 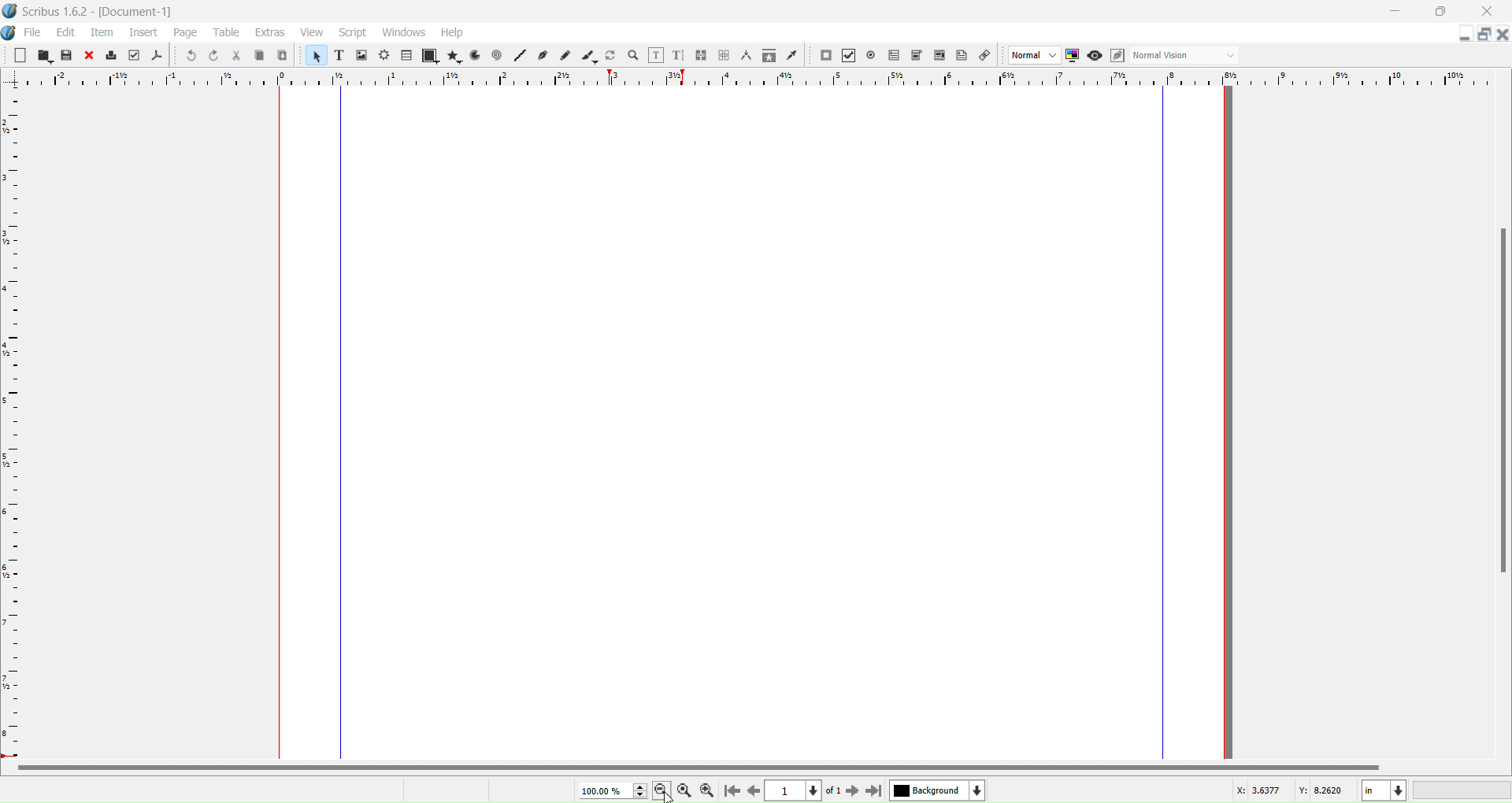 I want to click on Preflight Verifier, so click(x=134, y=55).